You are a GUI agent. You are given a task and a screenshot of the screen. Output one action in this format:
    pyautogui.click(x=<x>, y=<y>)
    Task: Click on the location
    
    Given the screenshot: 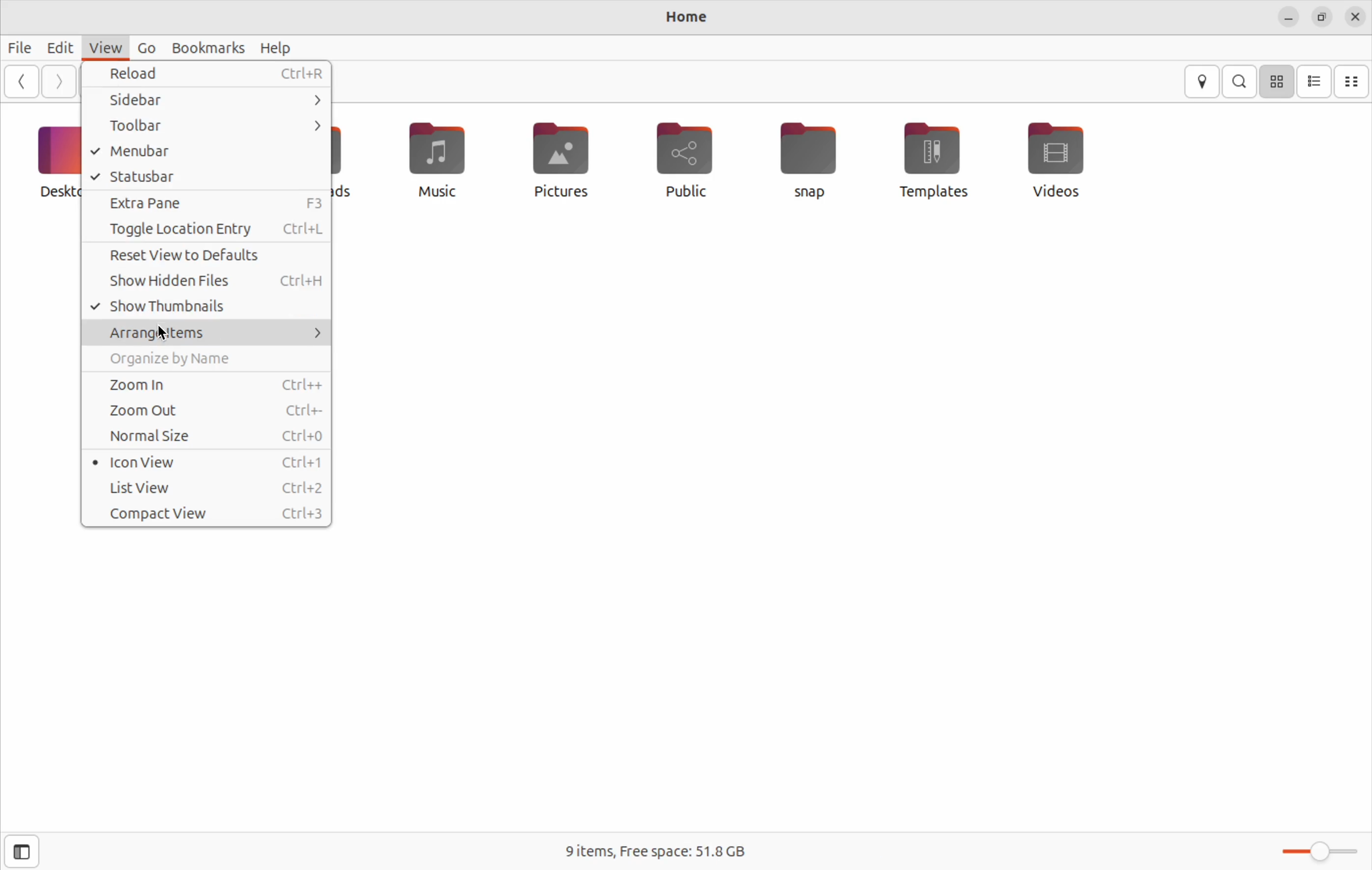 What is the action you would take?
    pyautogui.click(x=1202, y=81)
    